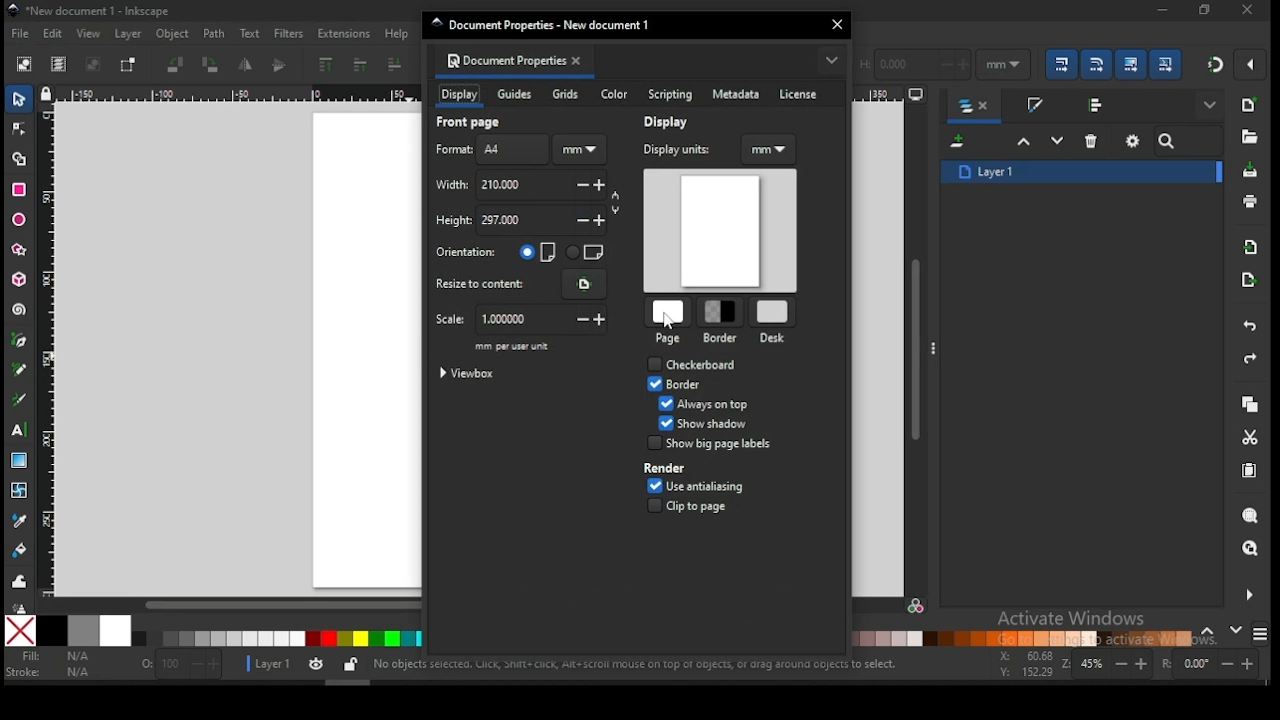 The image size is (1280, 720). What do you see at coordinates (26, 63) in the screenshot?
I see `select all` at bounding box center [26, 63].